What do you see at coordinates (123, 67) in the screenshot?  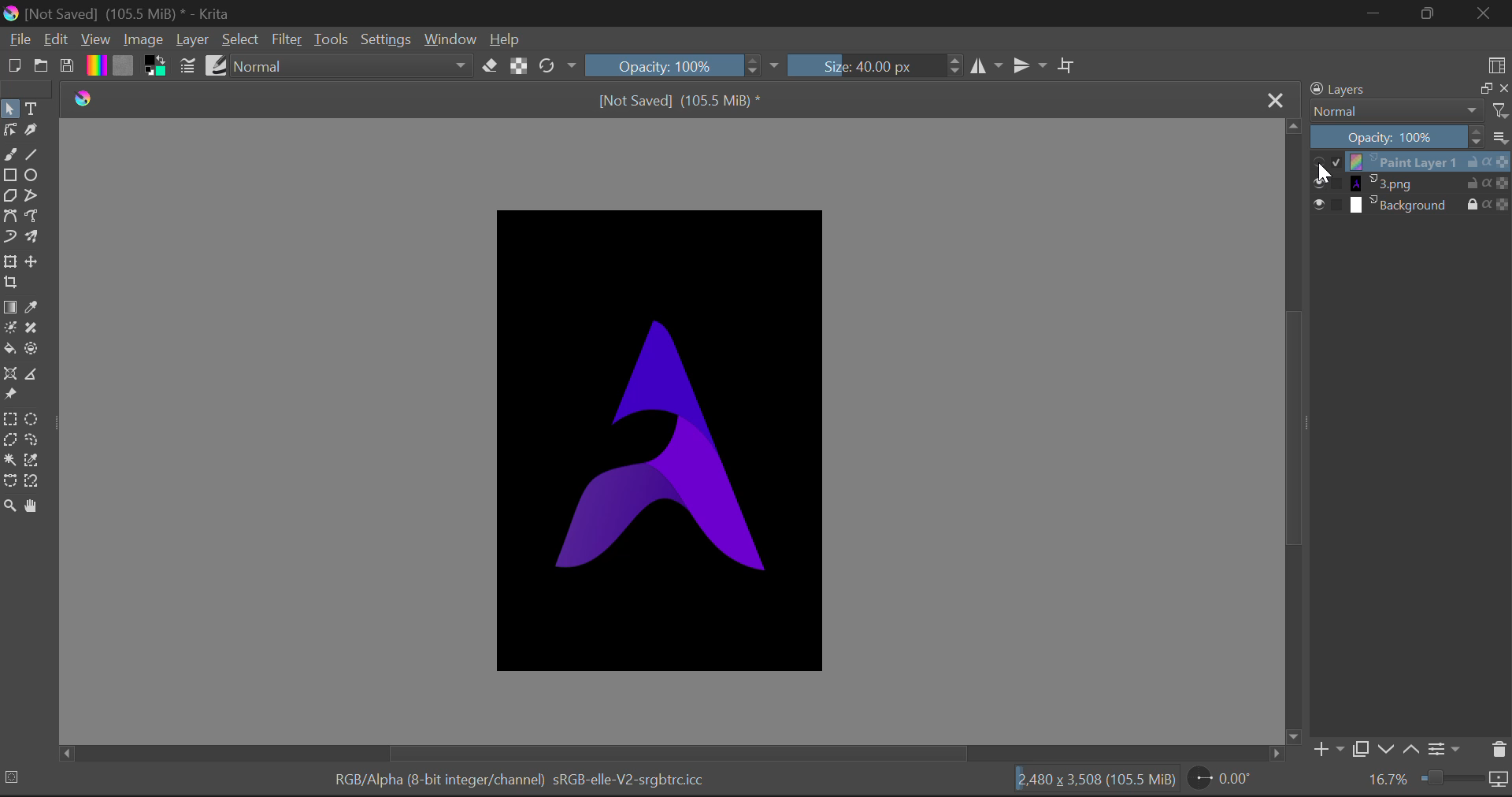 I see `Pattern` at bounding box center [123, 67].